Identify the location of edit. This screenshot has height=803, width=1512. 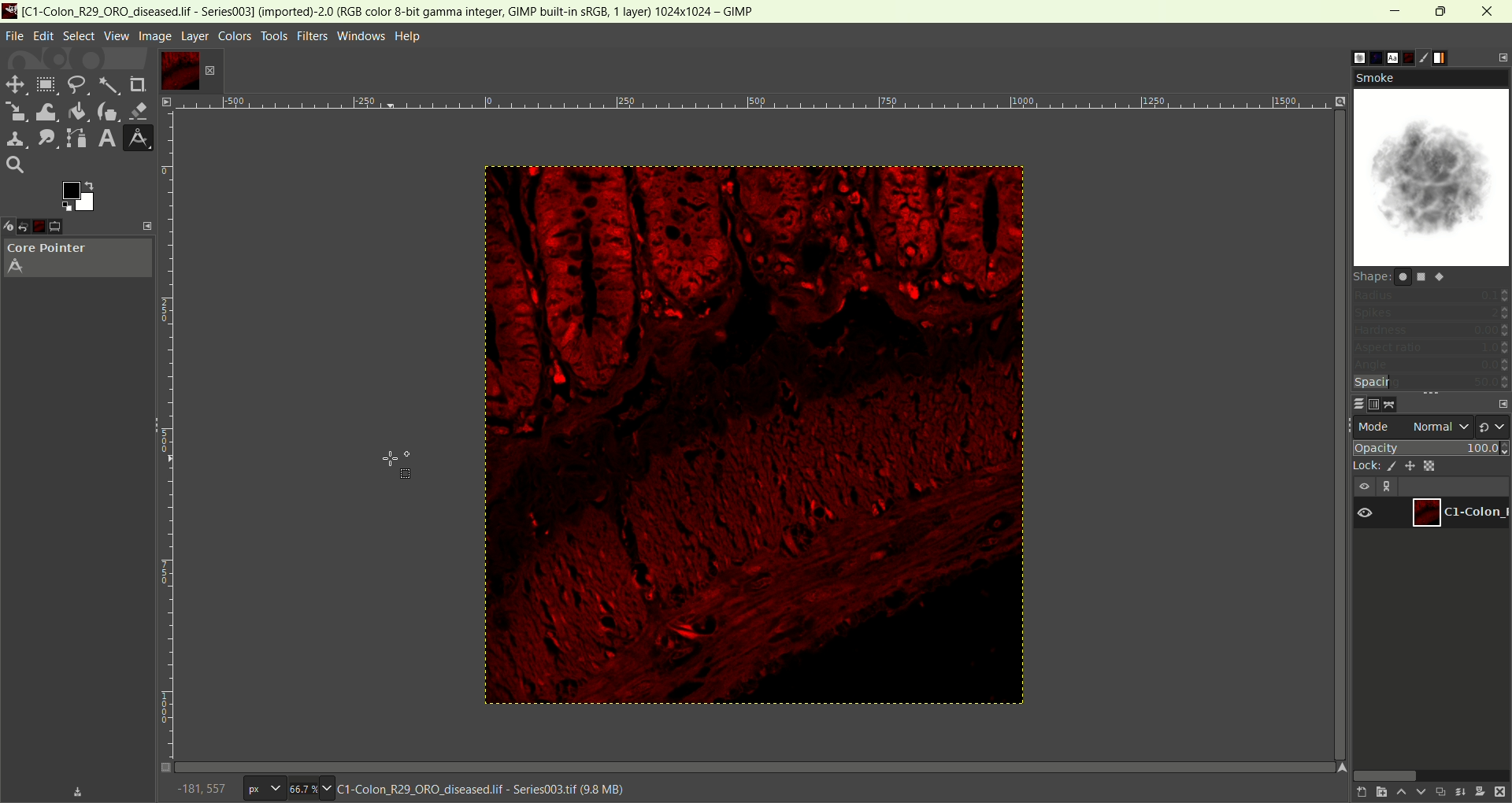
(44, 36).